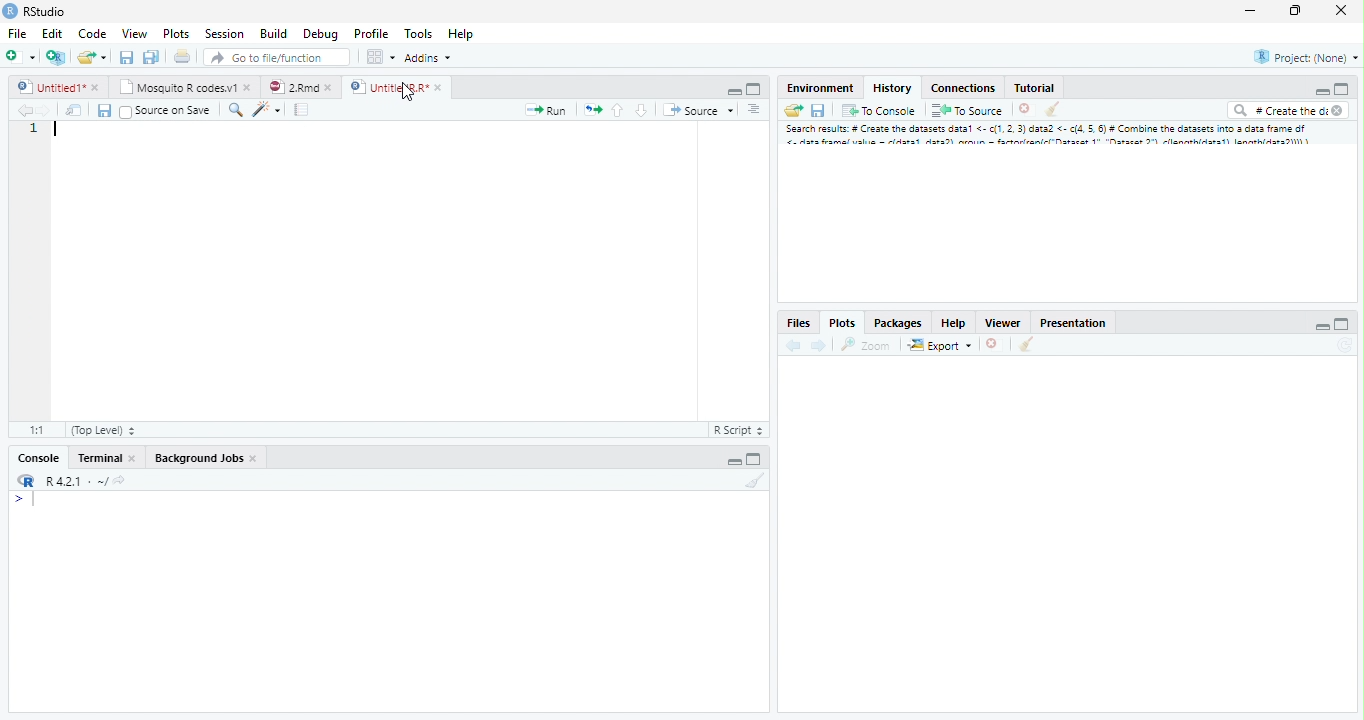  What do you see at coordinates (892, 87) in the screenshot?
I see `History` at bounding box center [892, 87].